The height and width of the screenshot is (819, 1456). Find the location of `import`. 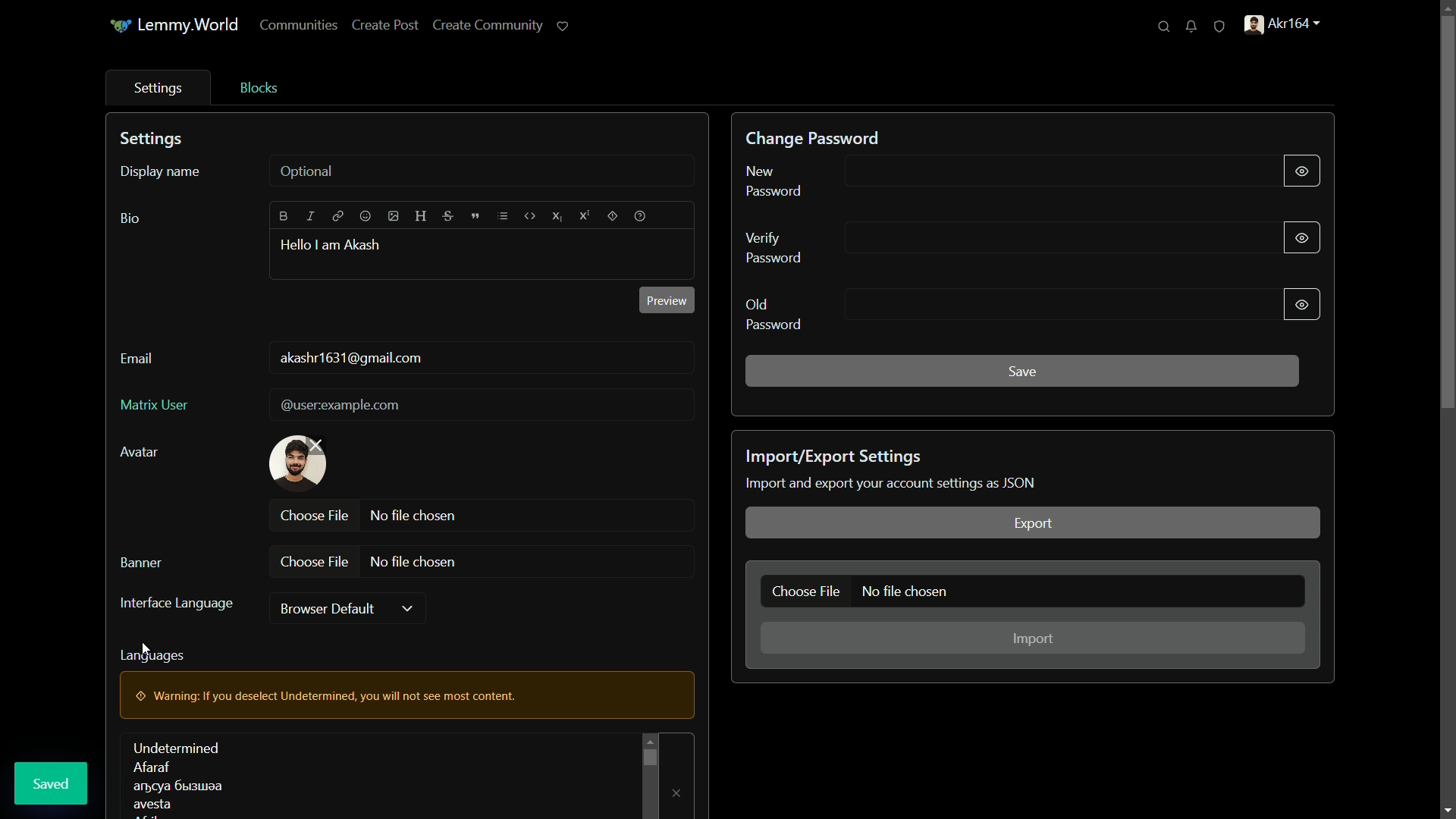

import is located at coordinates (1031, 638).